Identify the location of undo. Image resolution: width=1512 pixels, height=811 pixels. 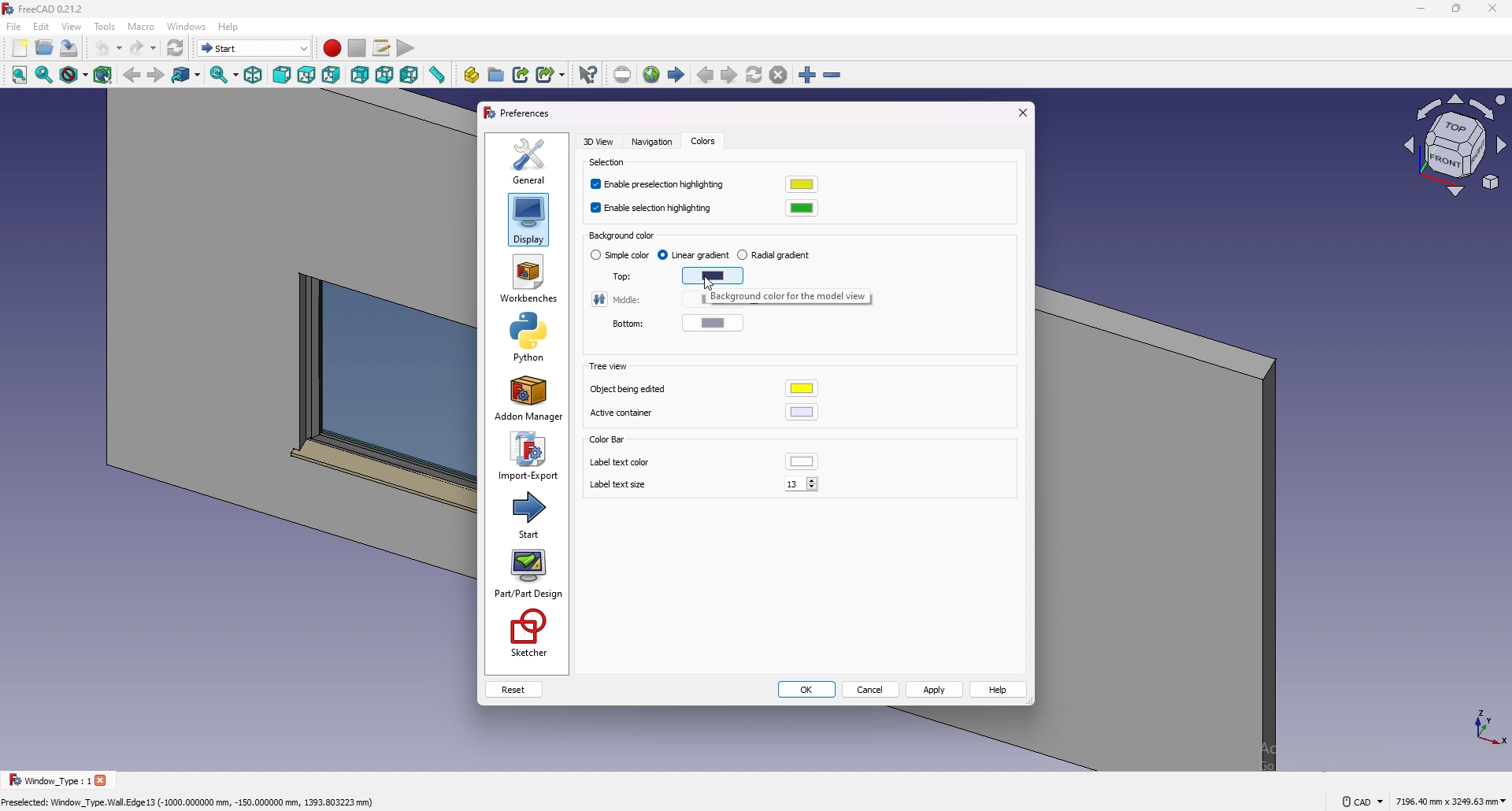
(108, 48).